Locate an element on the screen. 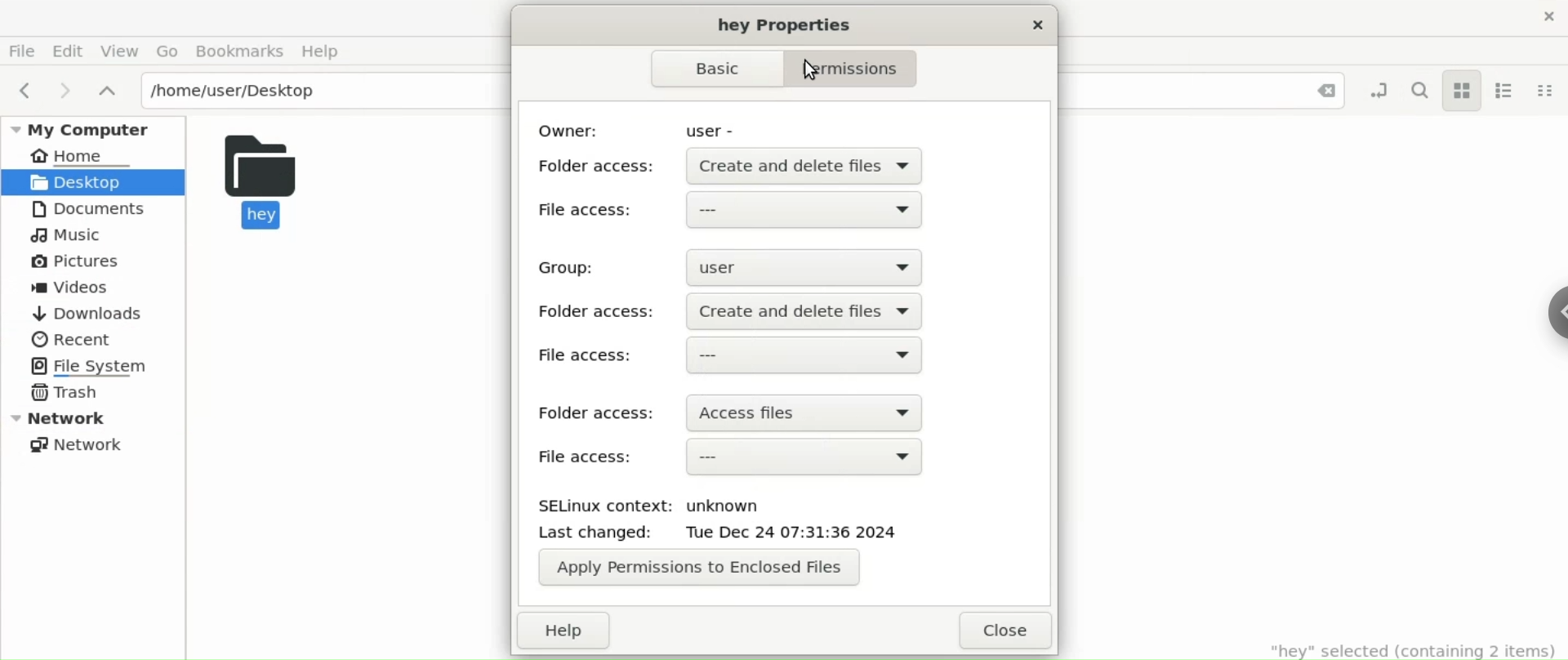  user  is located at coordinates (806, 265).